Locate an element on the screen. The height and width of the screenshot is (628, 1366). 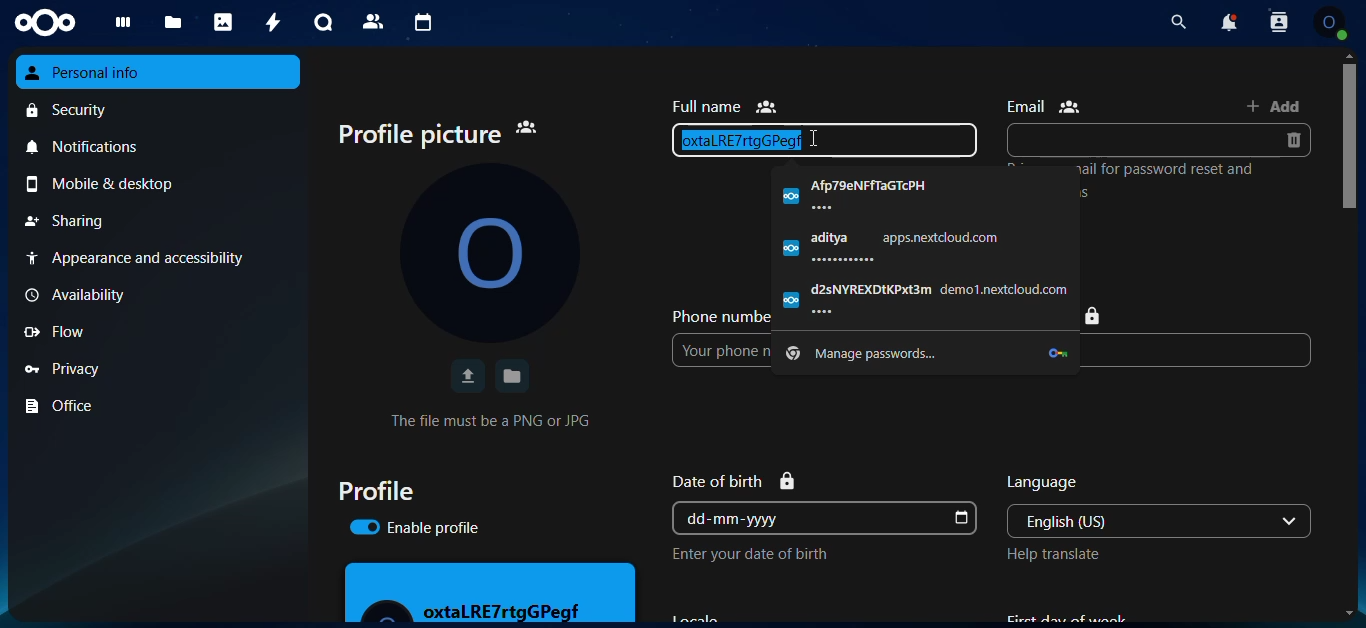
security is located at coordinates (161, 109).